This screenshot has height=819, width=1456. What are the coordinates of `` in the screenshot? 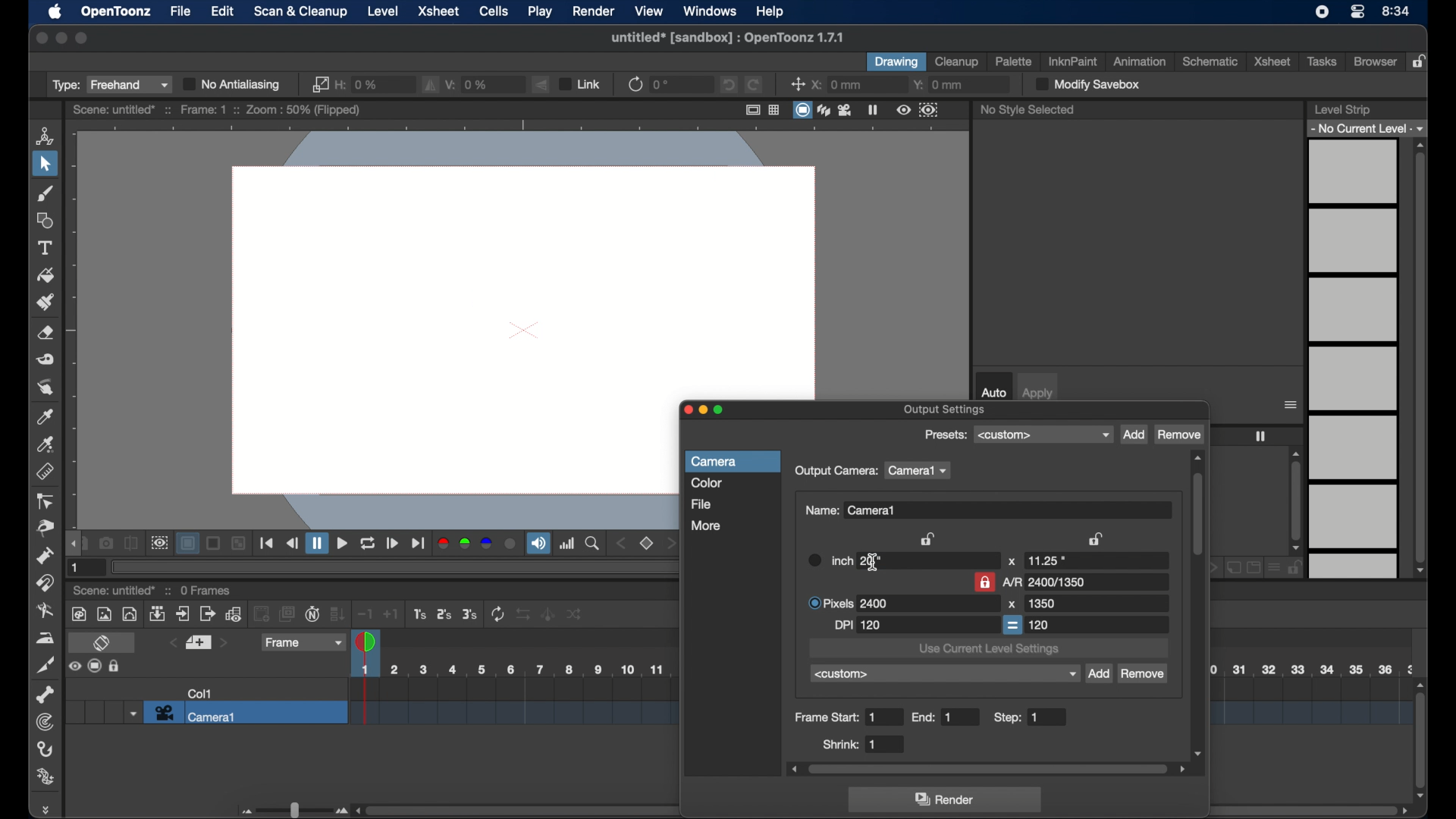 It's located at (337, 615).